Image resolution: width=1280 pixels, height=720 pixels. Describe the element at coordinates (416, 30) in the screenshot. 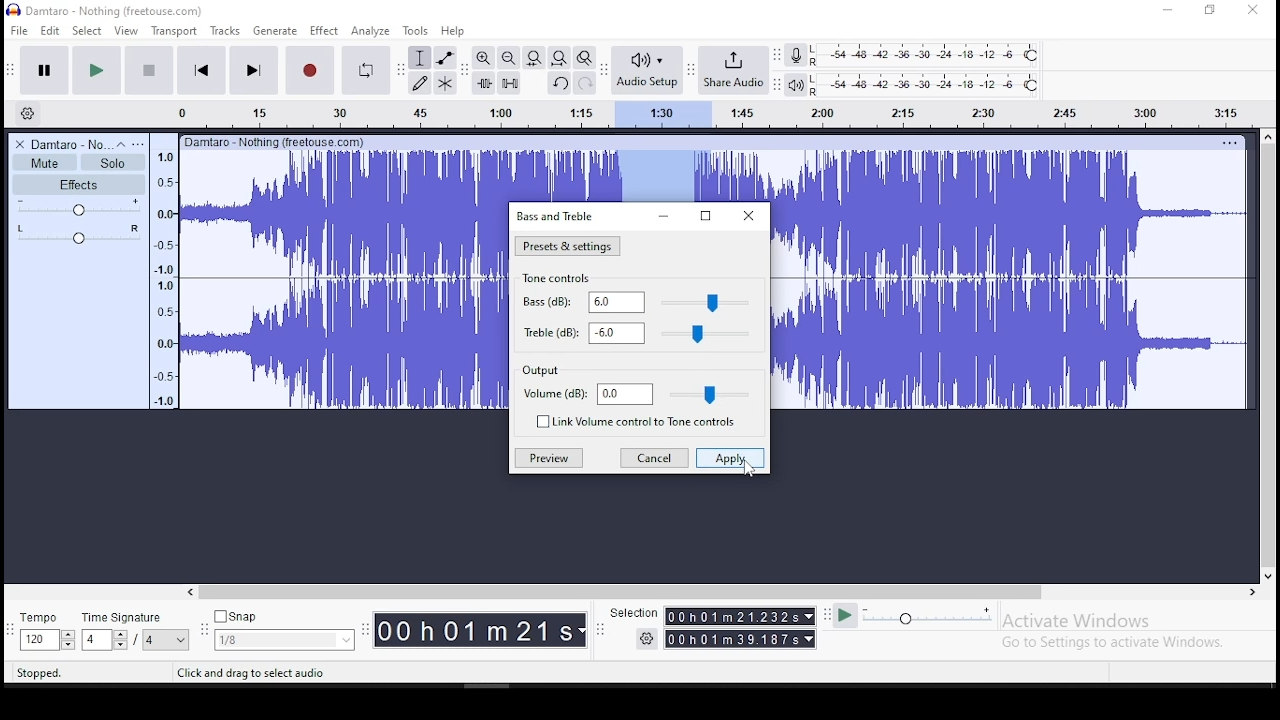

I see `tools` at that location.